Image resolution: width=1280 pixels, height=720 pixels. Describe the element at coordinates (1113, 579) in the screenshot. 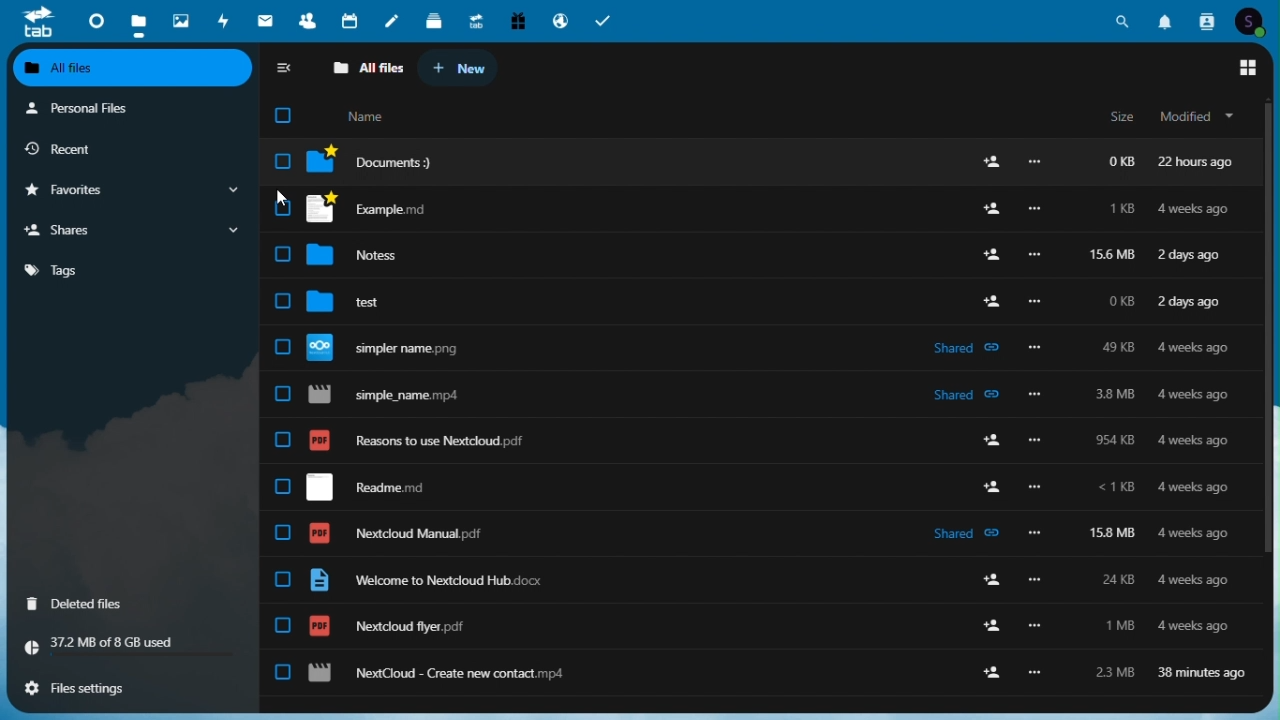

I see `24 kb` at that location.